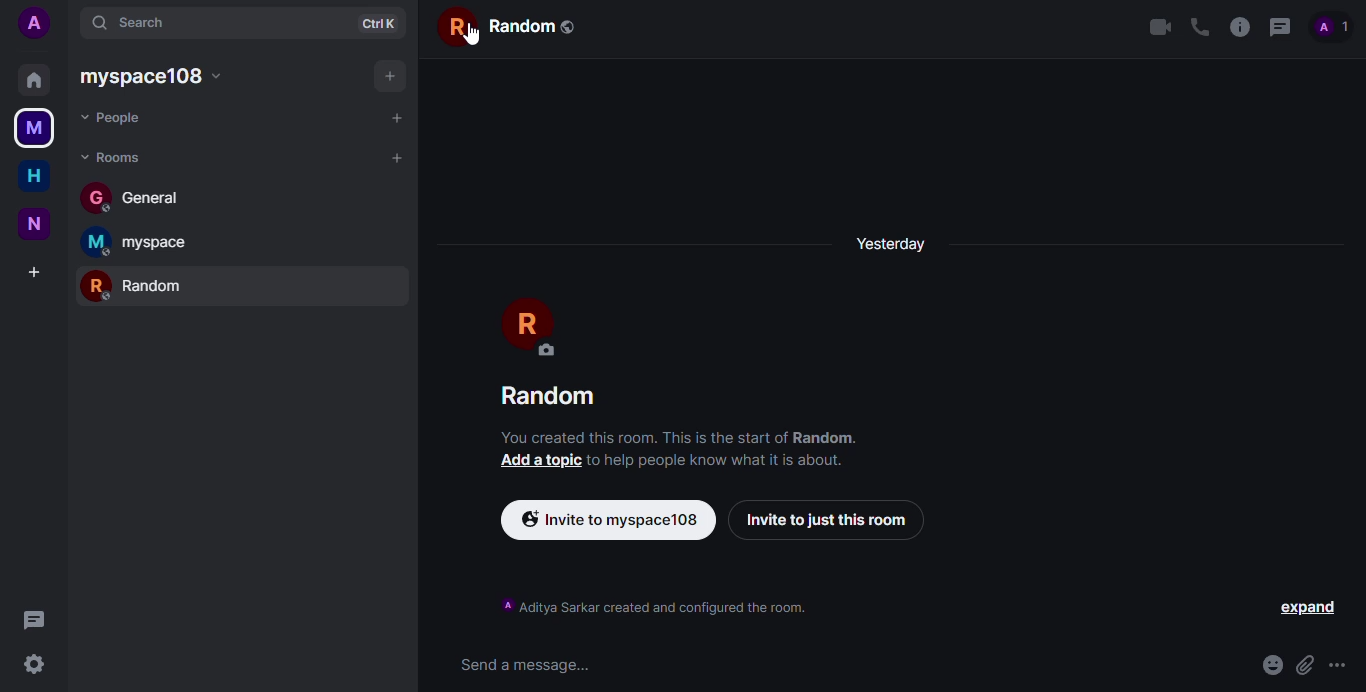 The image size is (1366, 692). What do you see at coordinates (1279, 28) in the screenshot?
I see `threads` at bounding box center [1279, 28].